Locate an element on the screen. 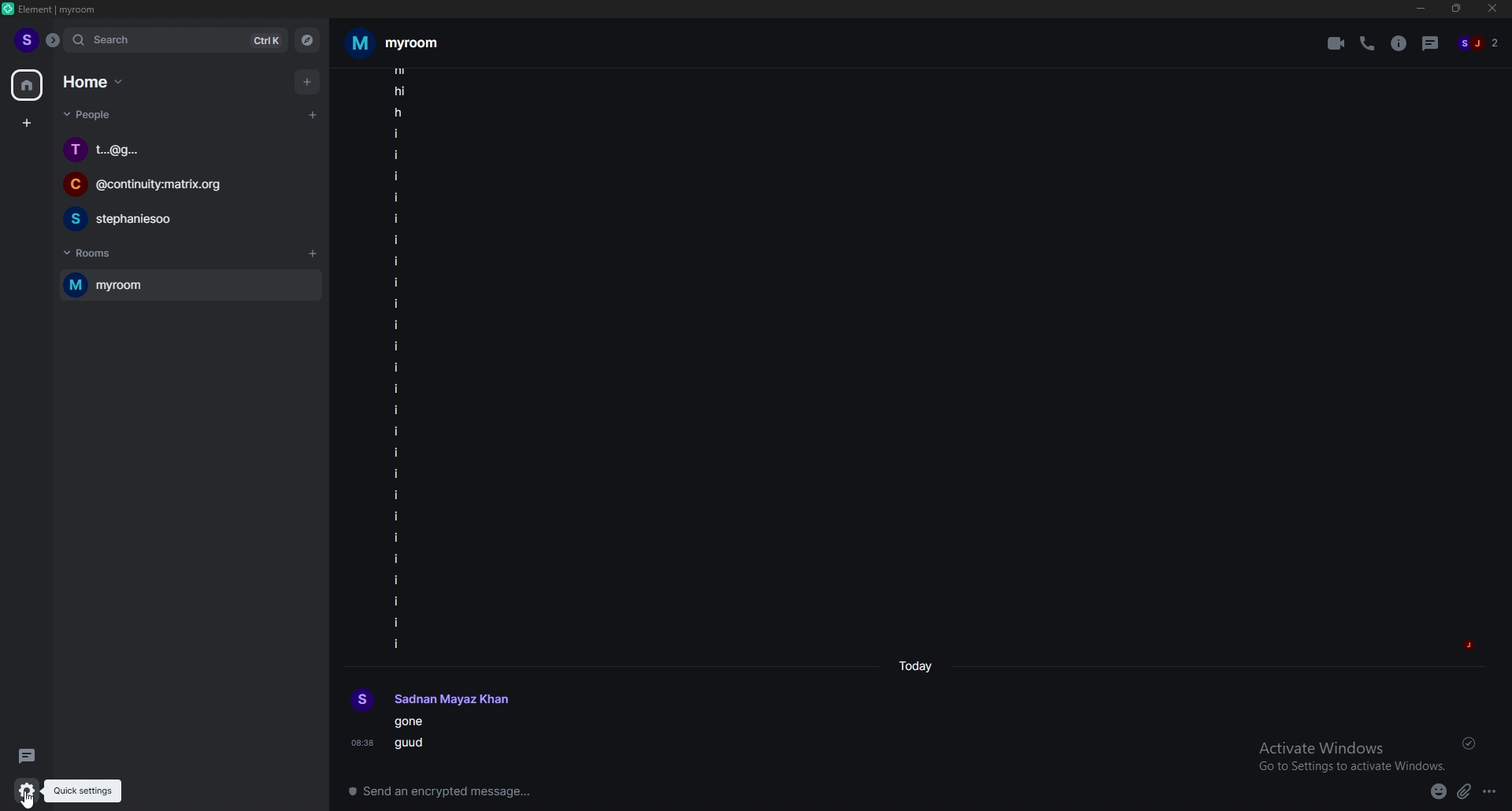  tooltip is located at coordinates (83, 791).